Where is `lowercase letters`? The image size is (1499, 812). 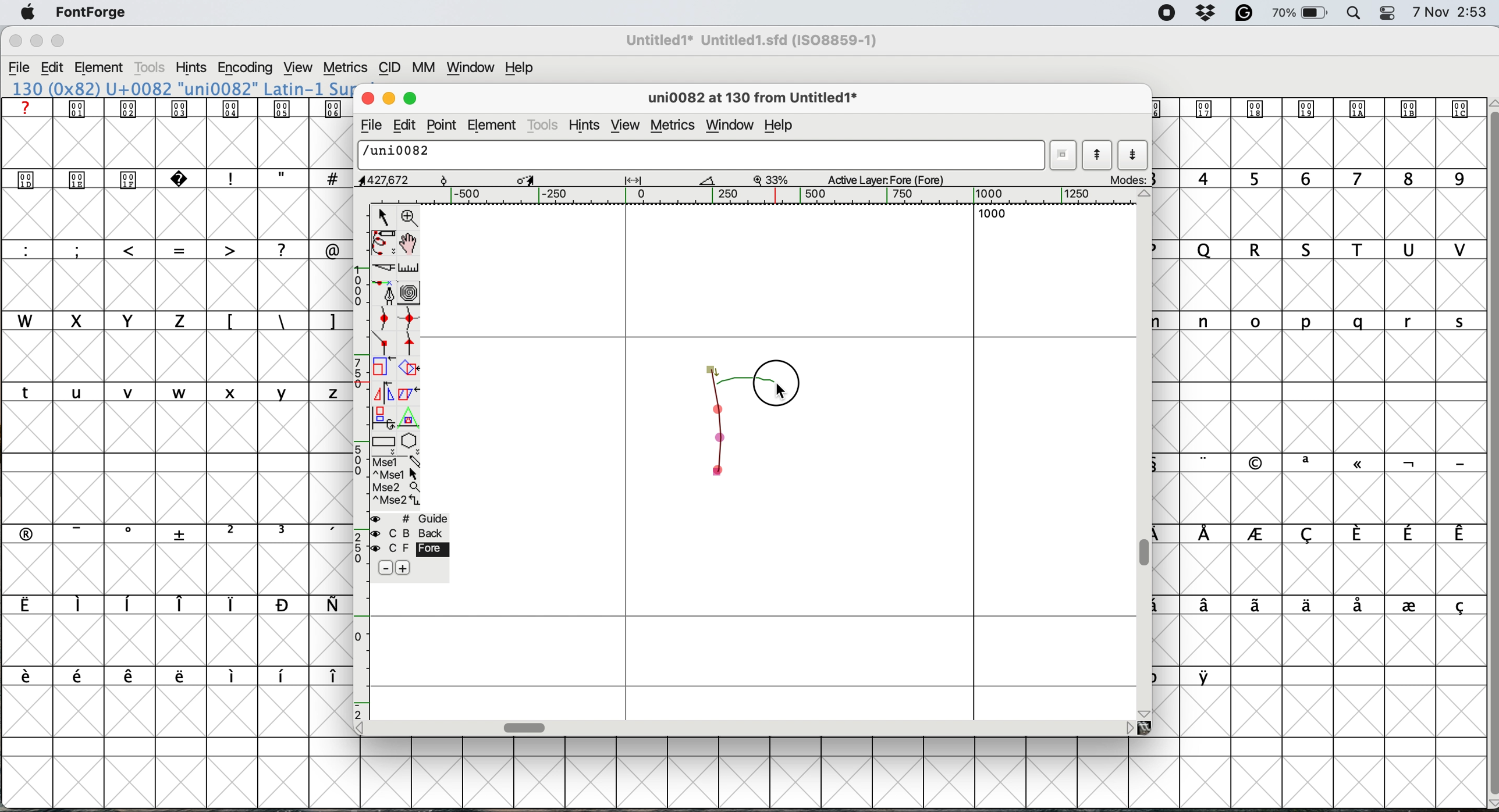
lowercase letters is located at coordinates (1311, 320).